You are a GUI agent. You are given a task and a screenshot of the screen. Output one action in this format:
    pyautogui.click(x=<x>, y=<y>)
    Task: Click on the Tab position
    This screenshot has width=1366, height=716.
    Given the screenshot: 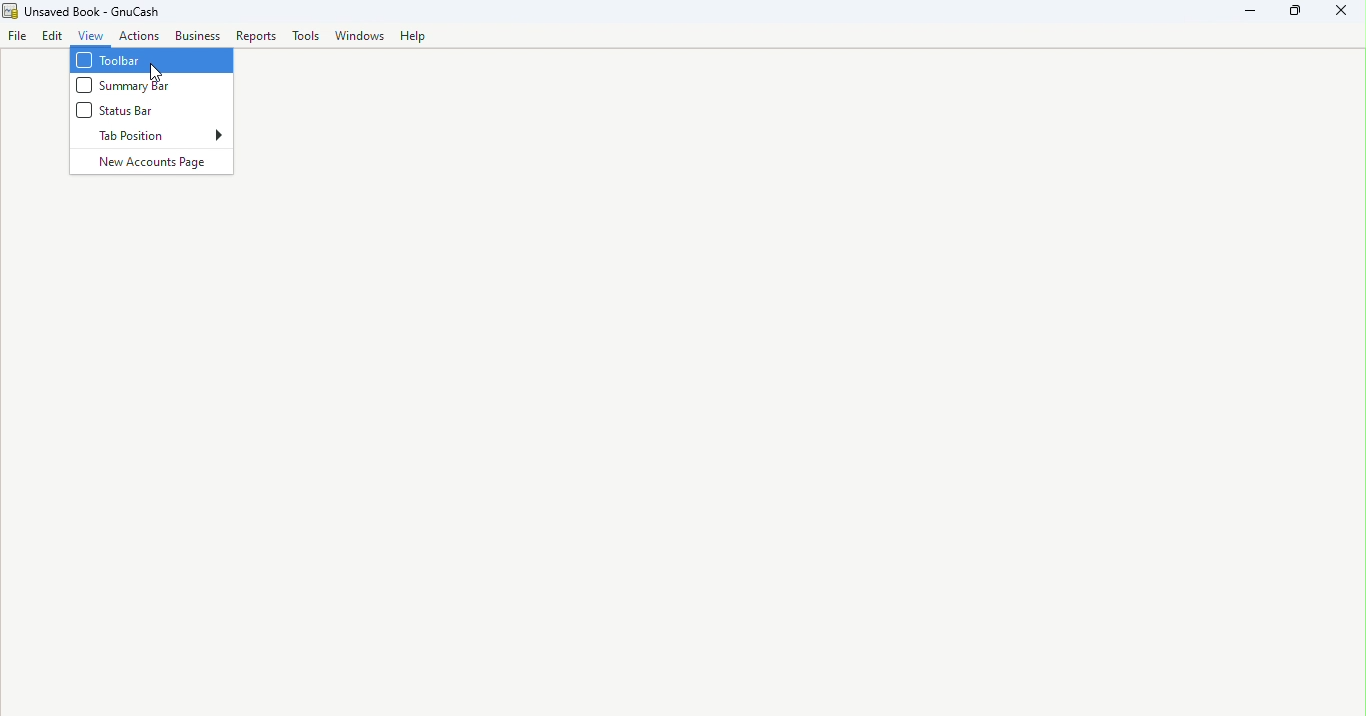 What is the action you would take?
    pyautogui.click(x=159, y=139)
    